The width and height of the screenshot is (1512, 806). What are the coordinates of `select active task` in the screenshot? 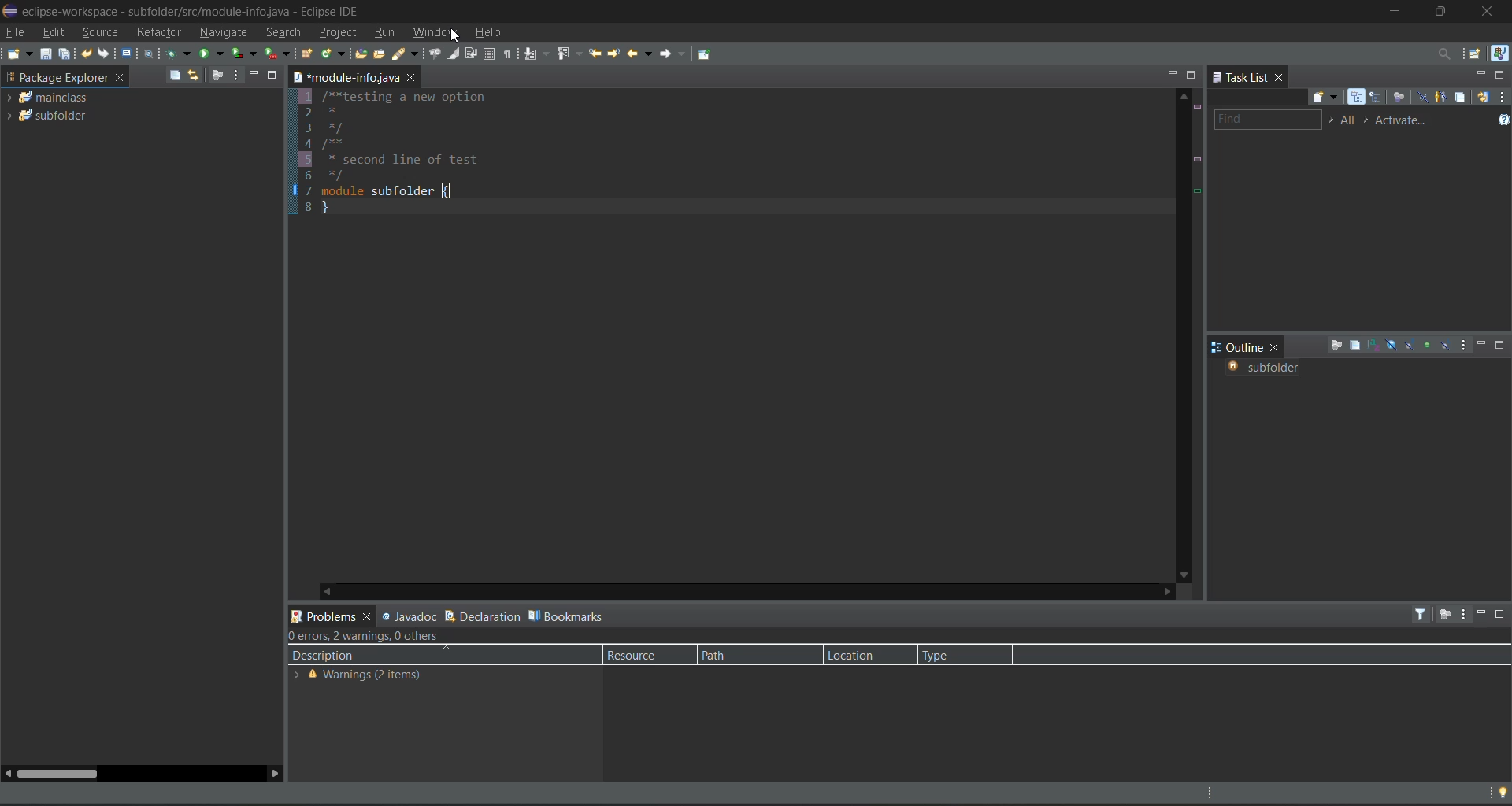 It's located at (1369, 121).